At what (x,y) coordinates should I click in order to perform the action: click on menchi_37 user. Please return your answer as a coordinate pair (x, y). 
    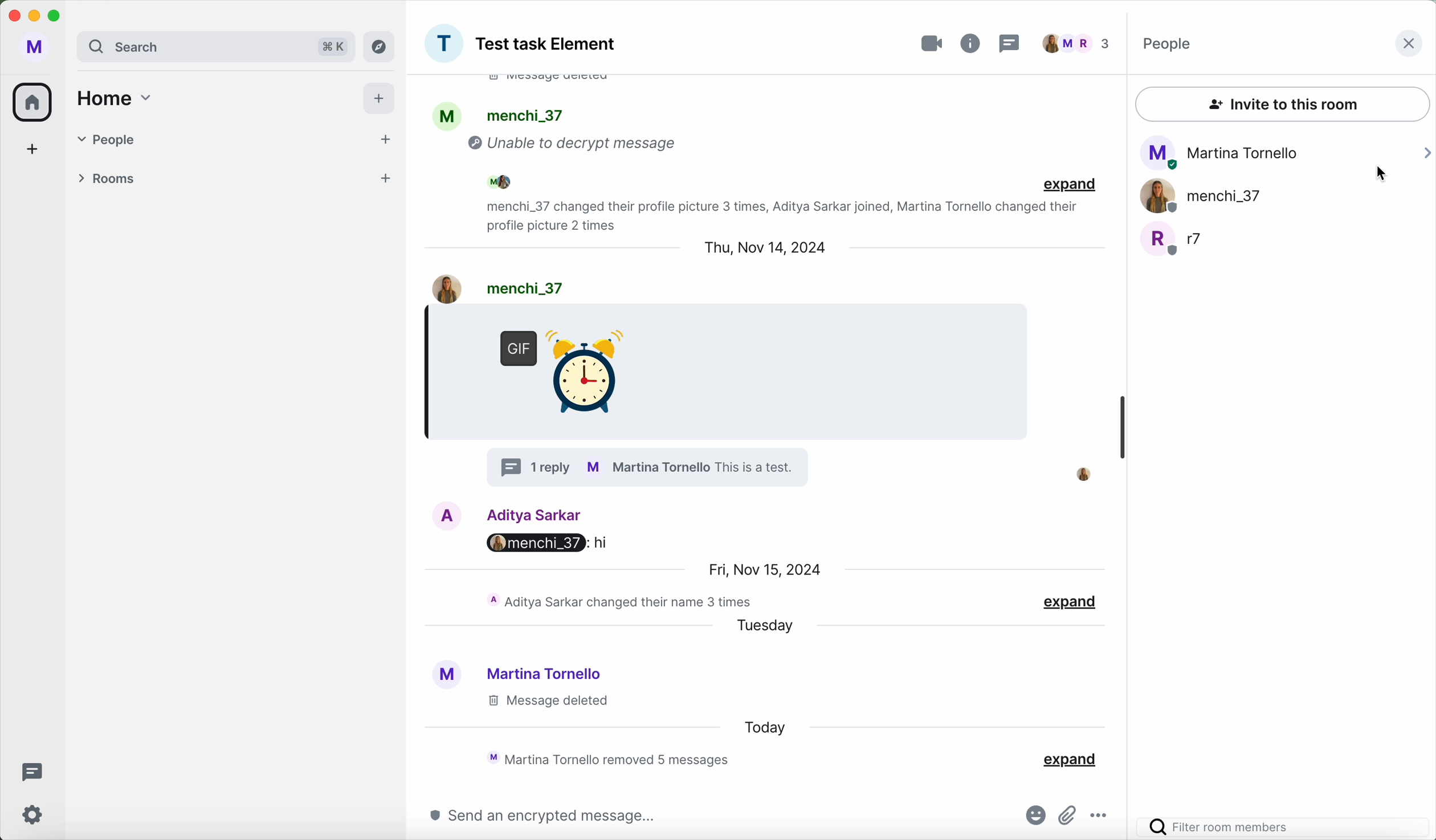
    Looking at the image, I should click on (1202, 196).